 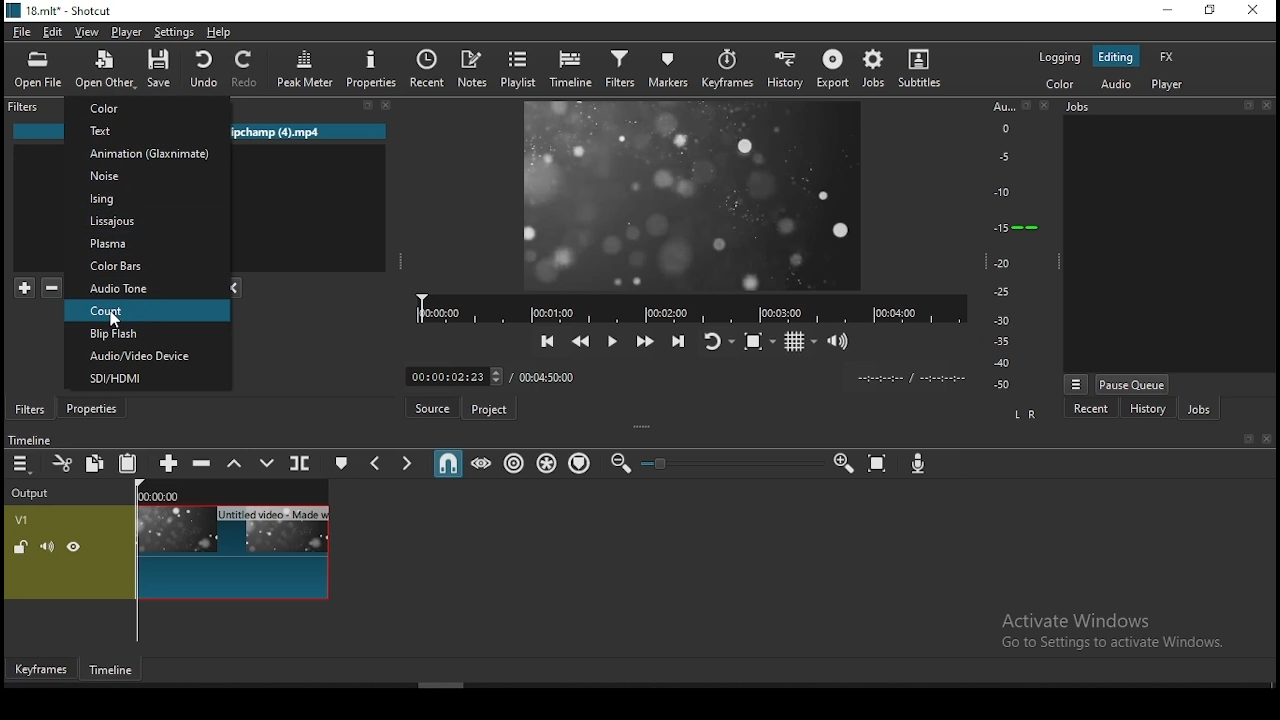 I want to click on toggle player looping, so click(x=714, y=340).